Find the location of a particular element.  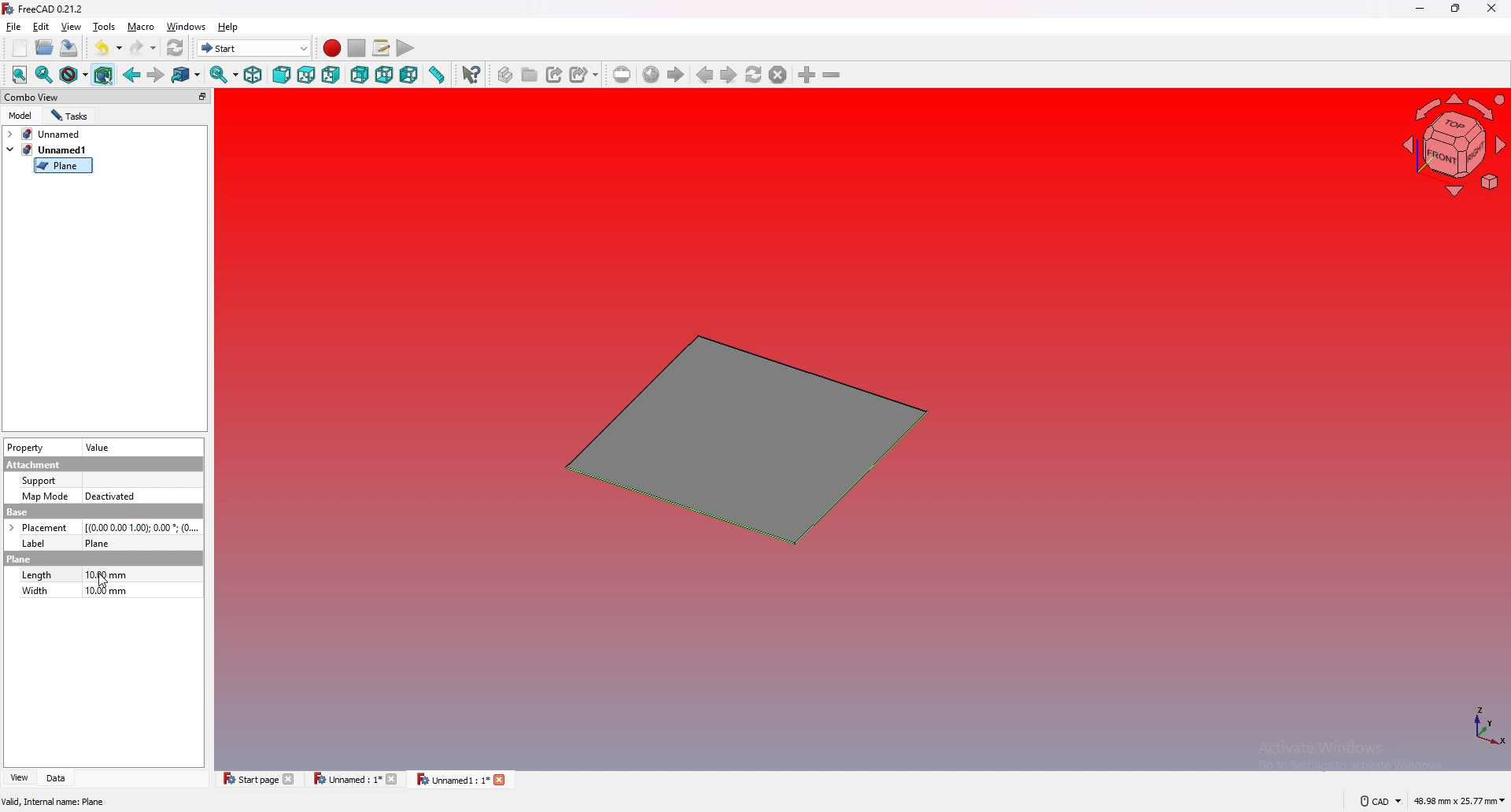

resize is located at coordinates (1457, 9).